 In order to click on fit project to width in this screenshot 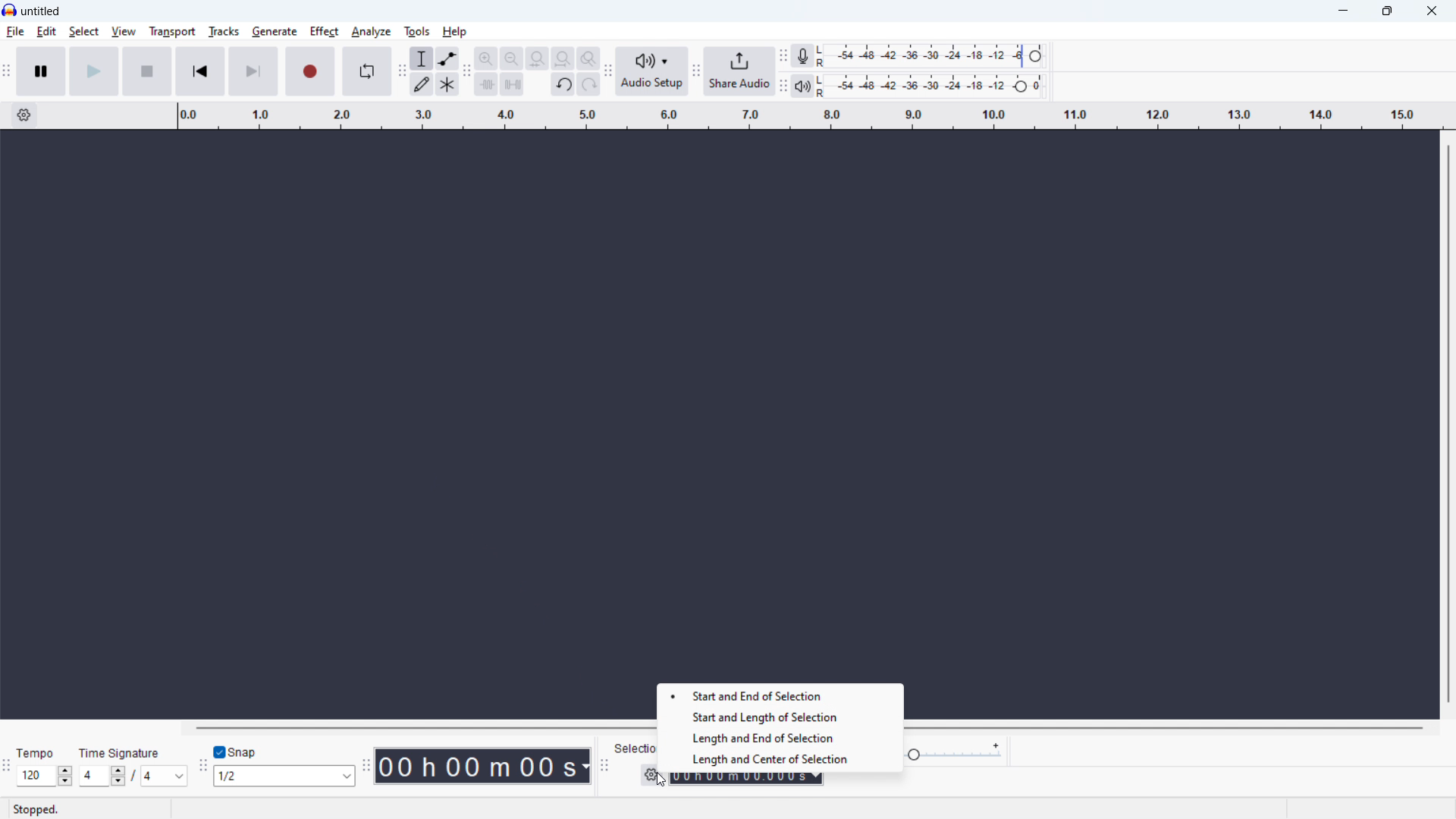, I will do `click(563, 58)`.